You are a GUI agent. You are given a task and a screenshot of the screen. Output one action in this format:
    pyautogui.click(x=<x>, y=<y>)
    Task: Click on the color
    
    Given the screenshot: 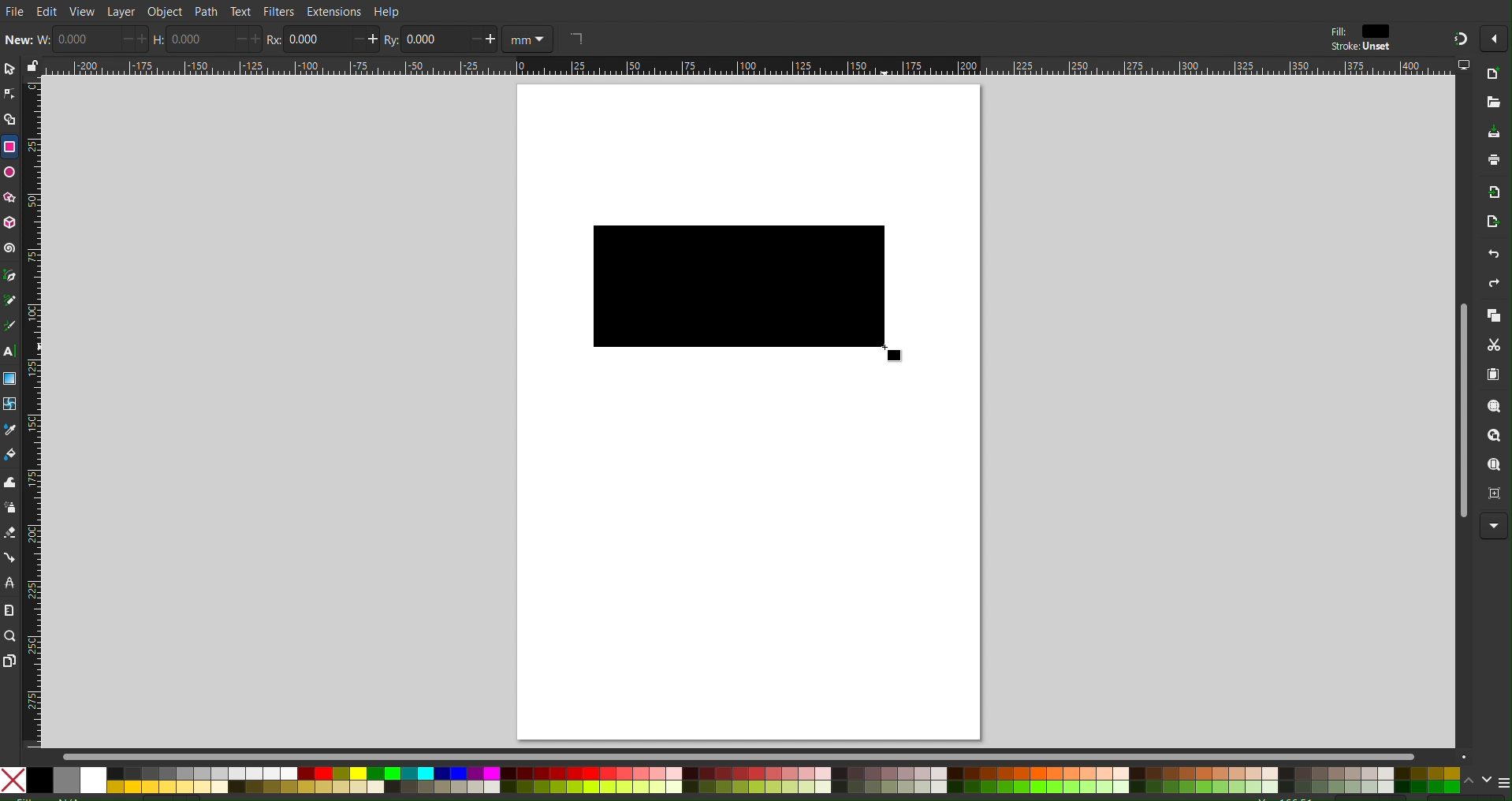 What is the action you would take?
    pyautogui.click(x=1380, y=31)
    